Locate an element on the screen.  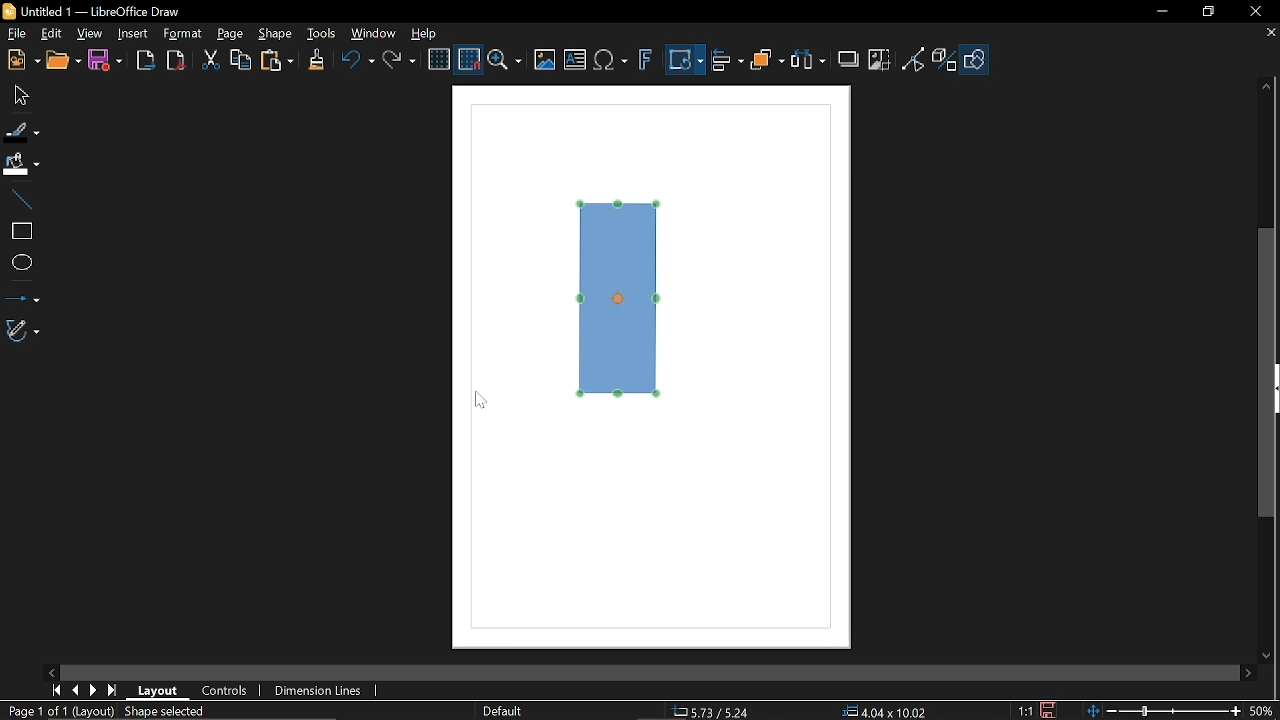
Layout is located at coordinates (158, 689).